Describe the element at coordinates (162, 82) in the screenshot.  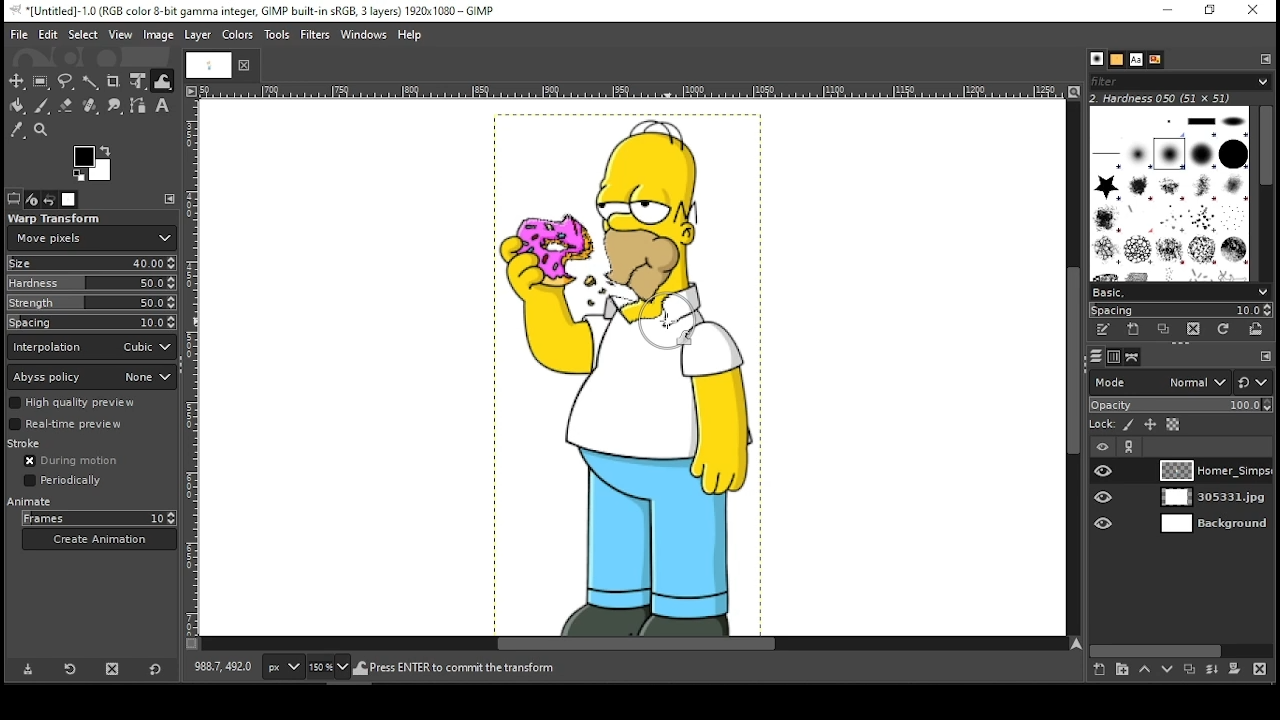
I see `warp tool` at that location.